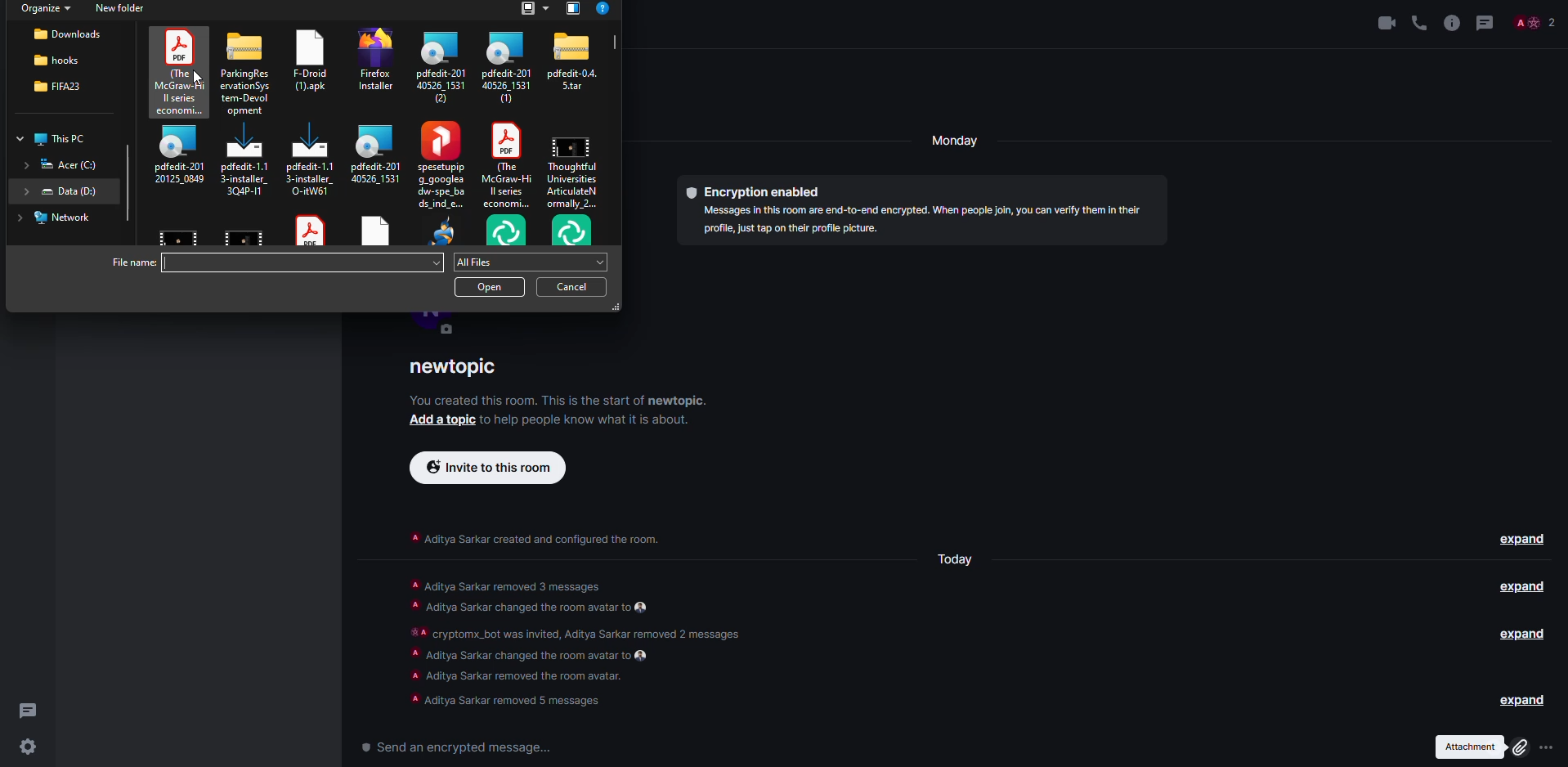  Describe the element at coordinates (314, 61) in the screenshot. I see `file` at that location.